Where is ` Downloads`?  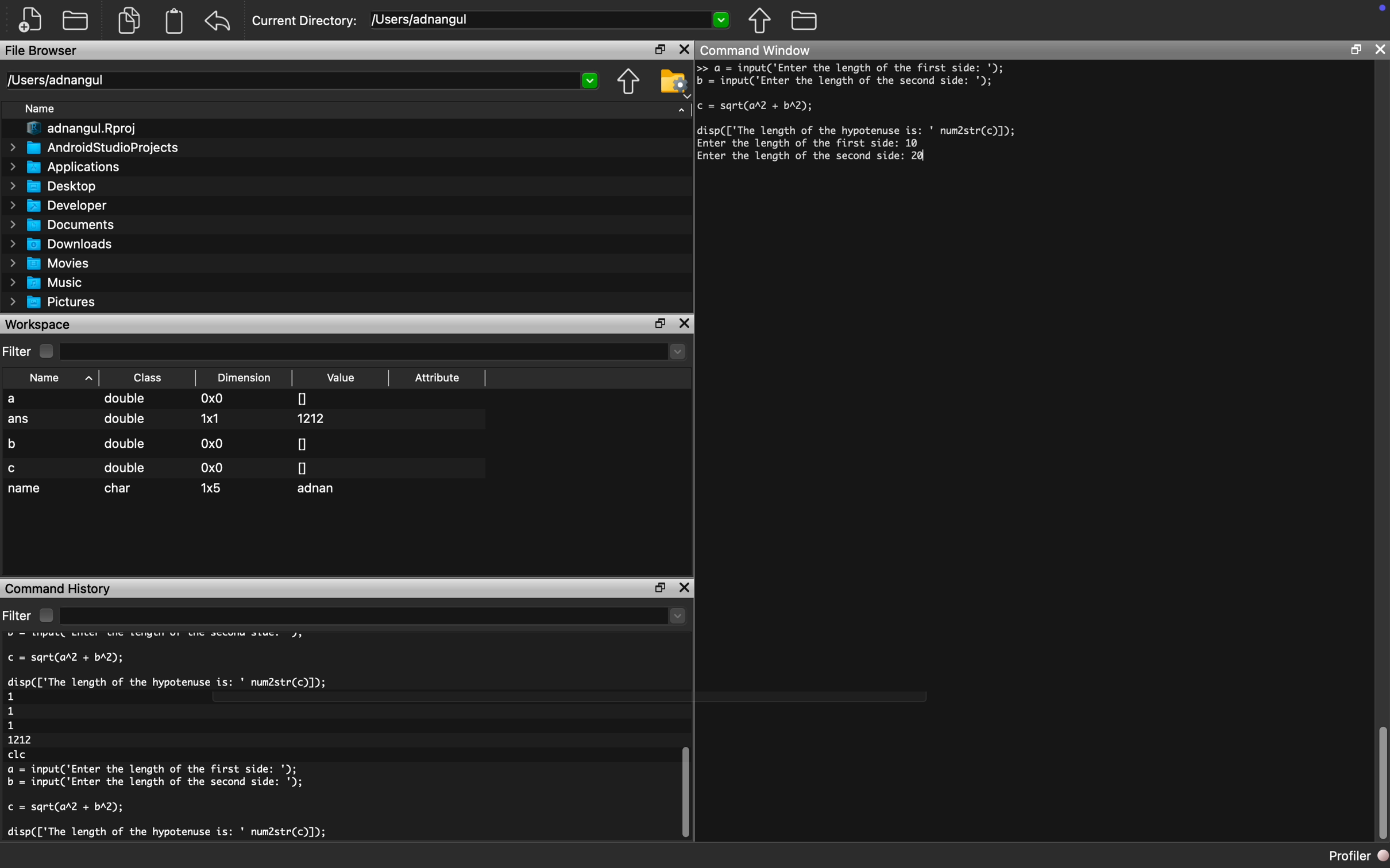
 Downloads is located at coordinates (67, 243).